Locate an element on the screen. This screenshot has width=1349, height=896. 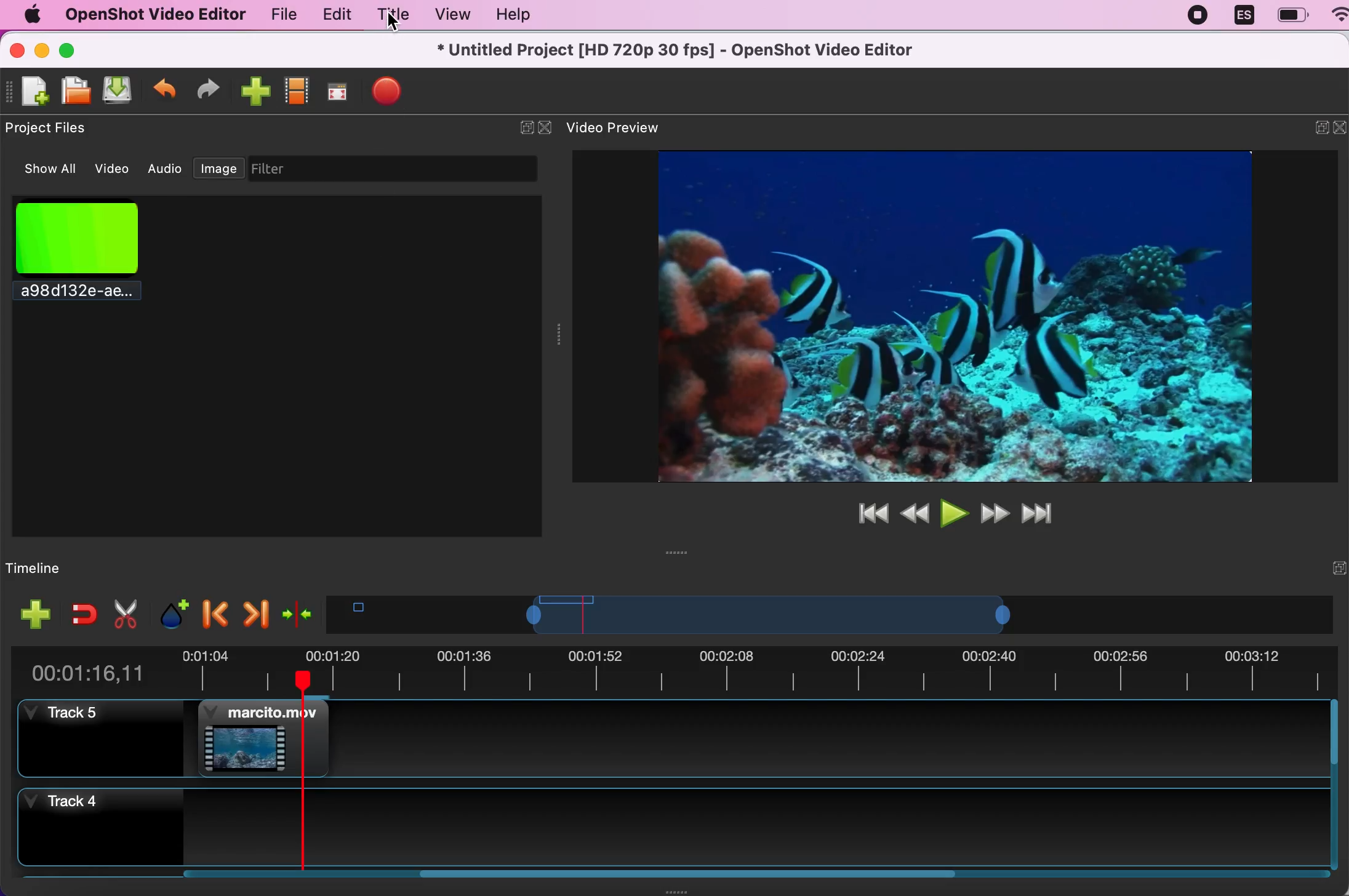
close is located at coordinates (17, 49).